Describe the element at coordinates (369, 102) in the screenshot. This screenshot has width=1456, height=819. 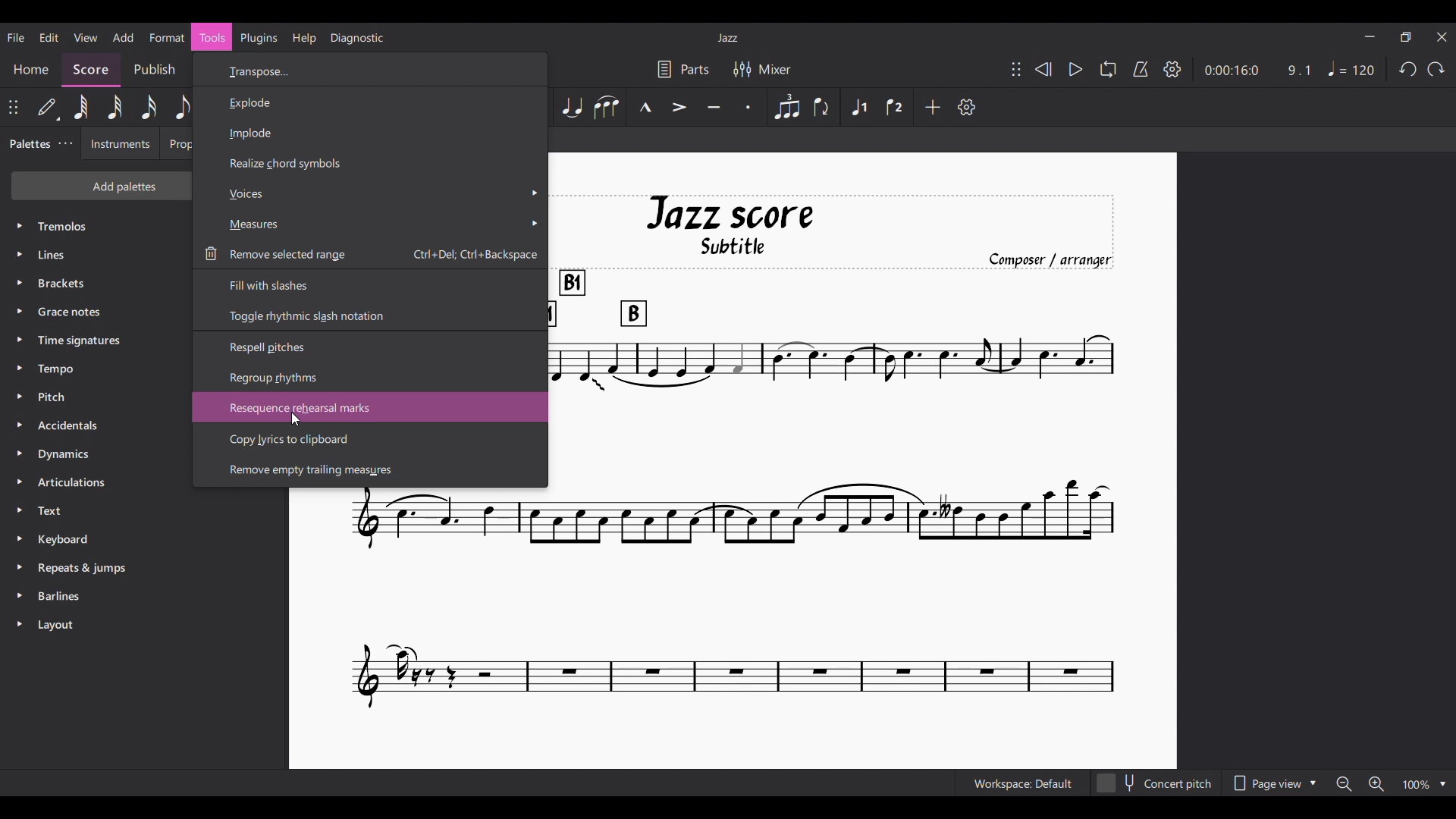
I see `Explode` at that location.